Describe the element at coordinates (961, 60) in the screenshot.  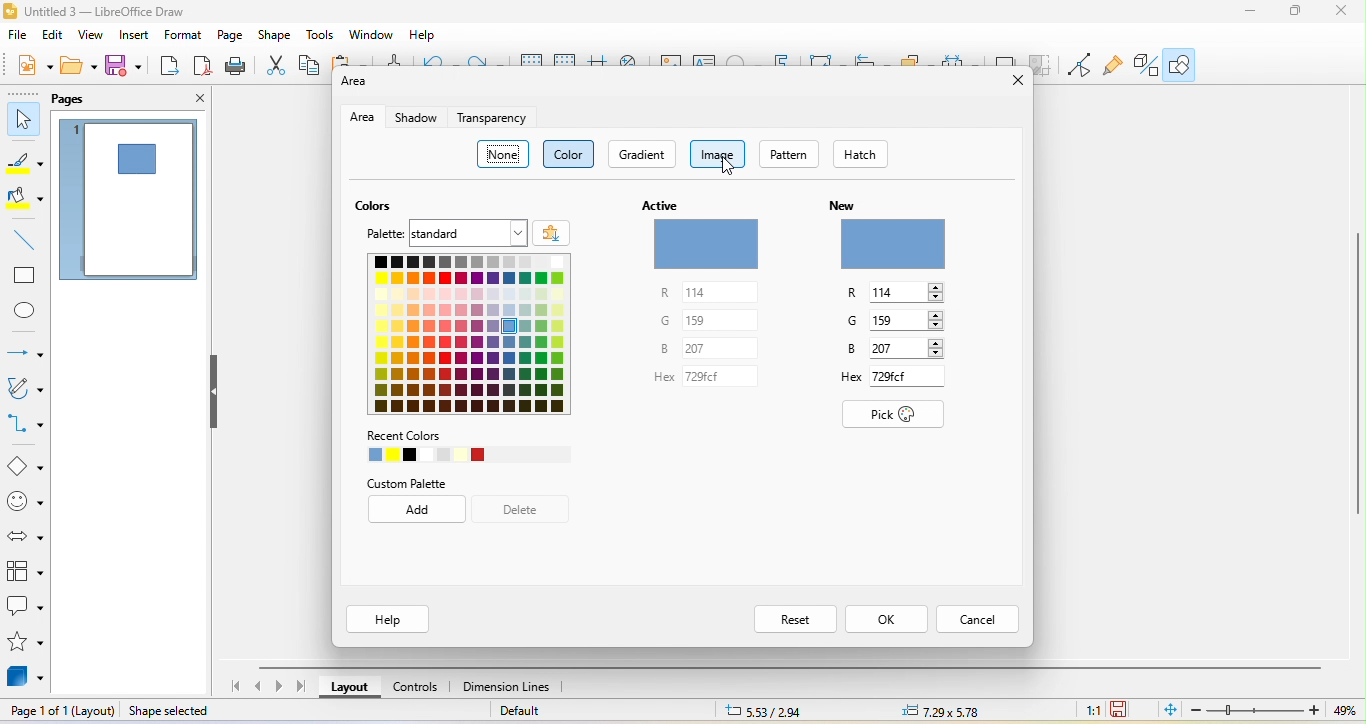
I see `select at least three object to distribute` at that location.